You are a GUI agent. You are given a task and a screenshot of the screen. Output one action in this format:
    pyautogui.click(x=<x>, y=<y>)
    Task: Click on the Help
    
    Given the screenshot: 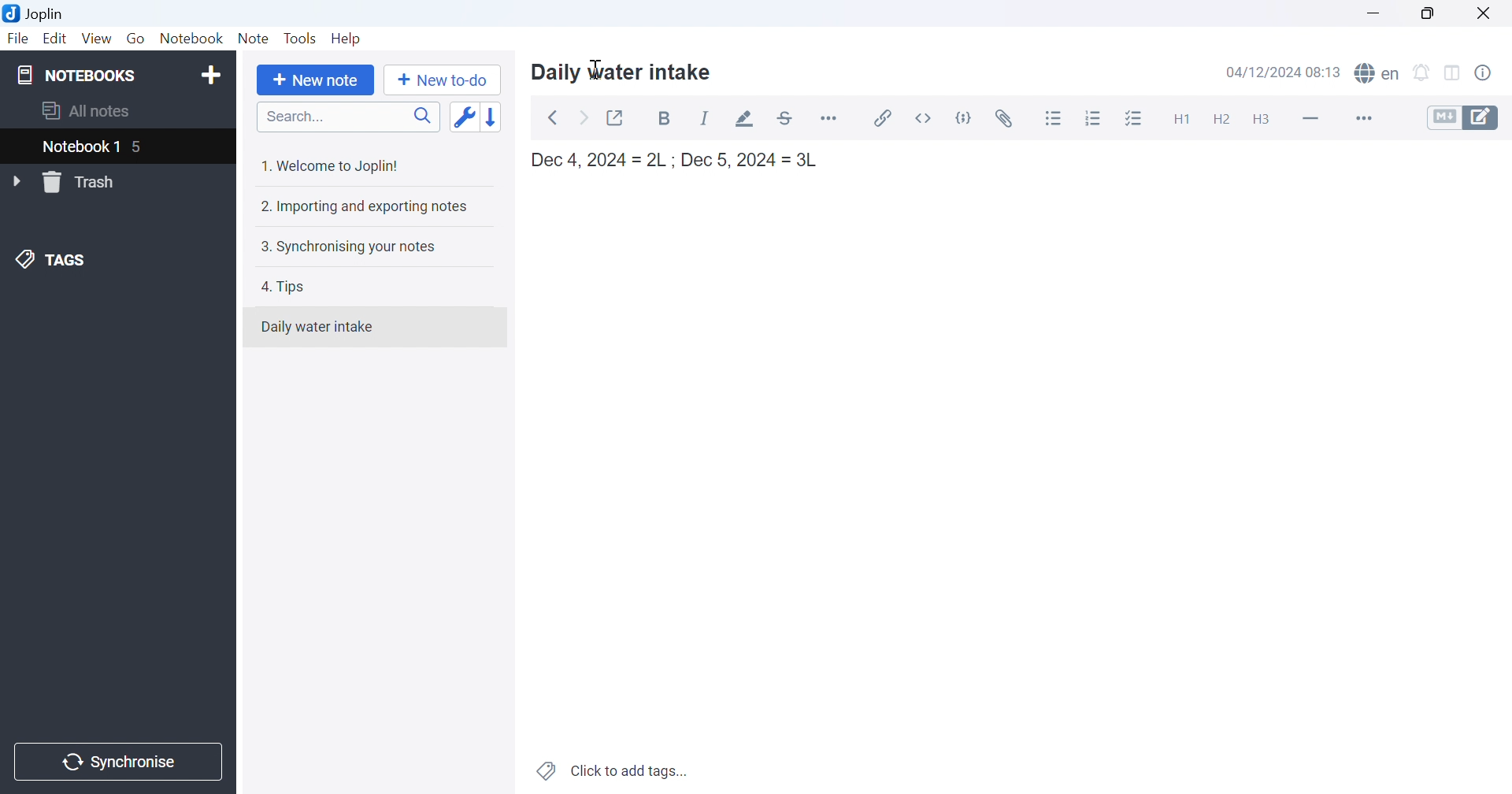 What is the action you would take?
    pyautogui.click(x=351, y=39)
    